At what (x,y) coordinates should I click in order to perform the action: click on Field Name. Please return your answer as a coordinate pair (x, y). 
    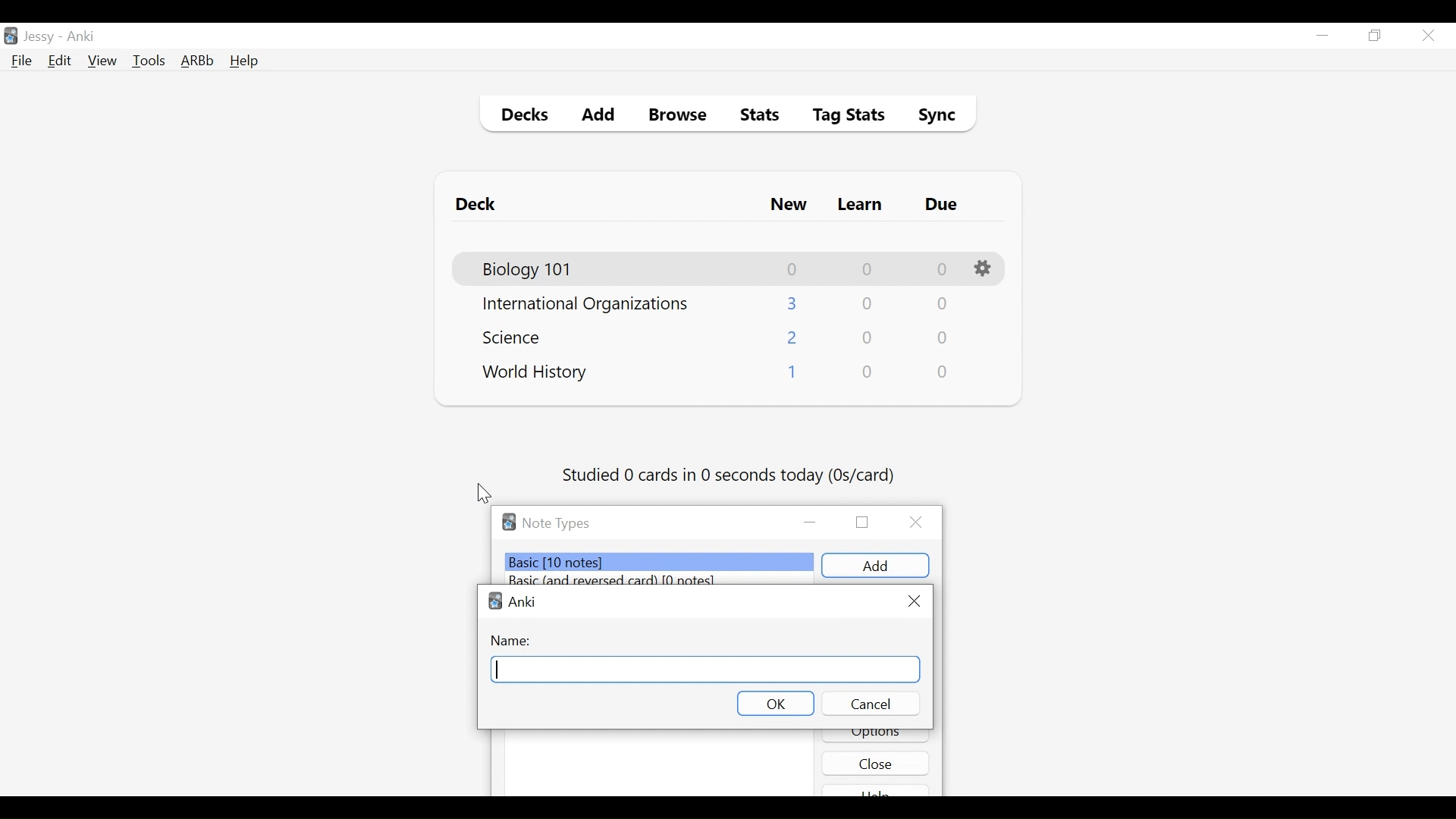
    Looking at the image, I should click on (706, 669).